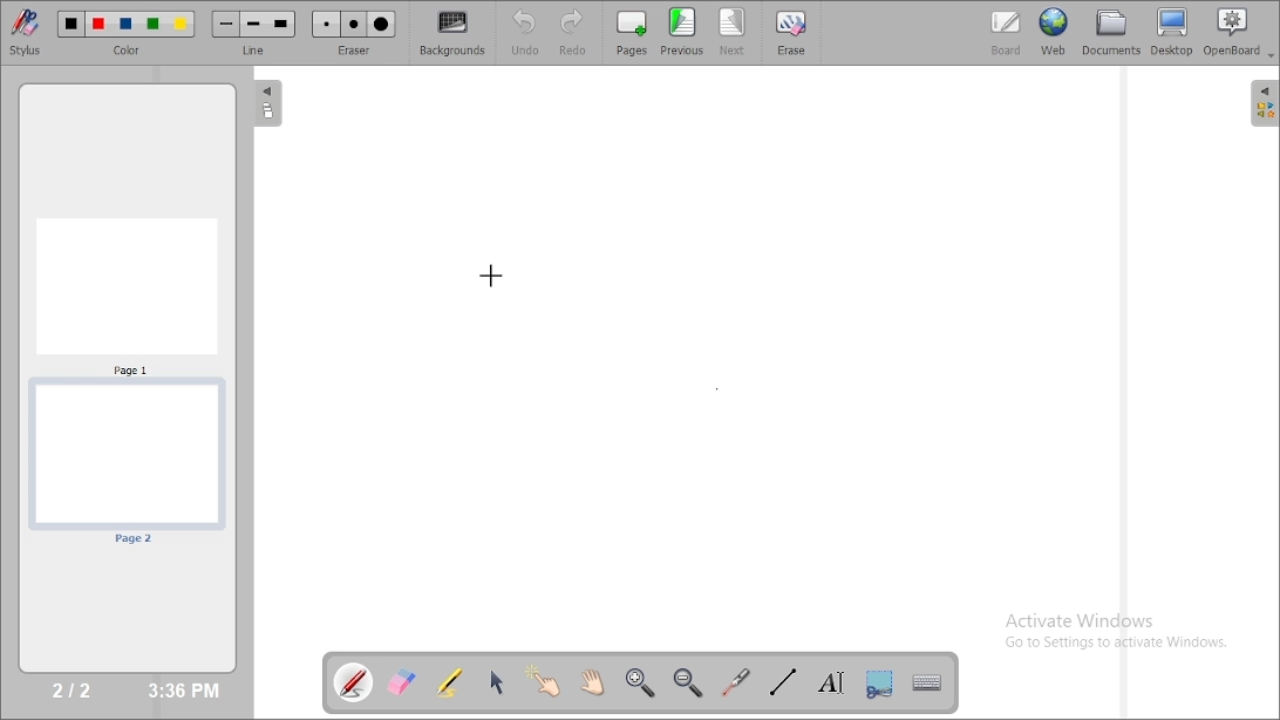 This screenshot has height=720, width=1280. Describe the element at coordinates (591, 681) in the screenshot. I see `scroll page` at that location.